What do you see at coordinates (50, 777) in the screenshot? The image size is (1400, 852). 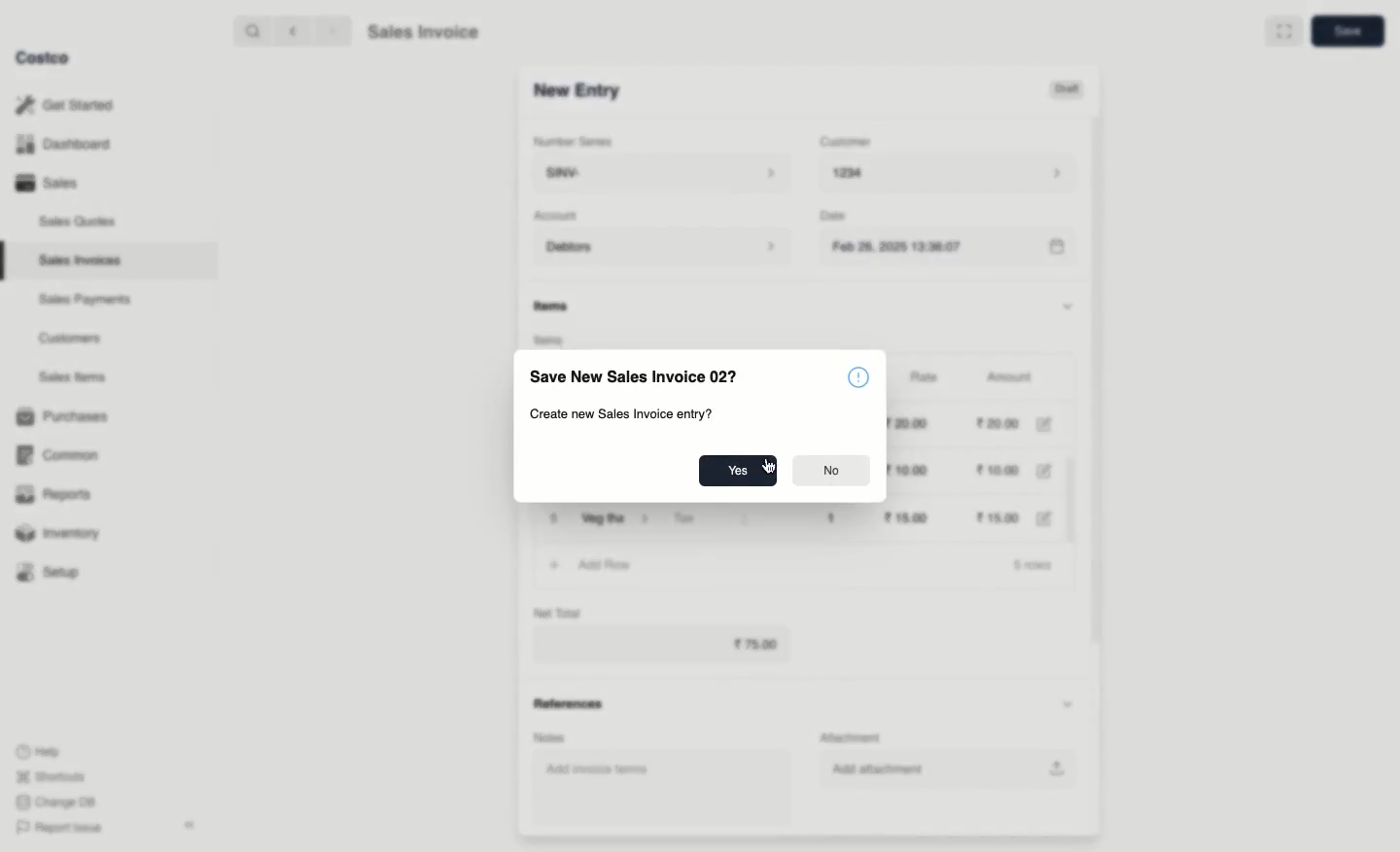 I see `Shortcuts` at bounding box center [50, 777].